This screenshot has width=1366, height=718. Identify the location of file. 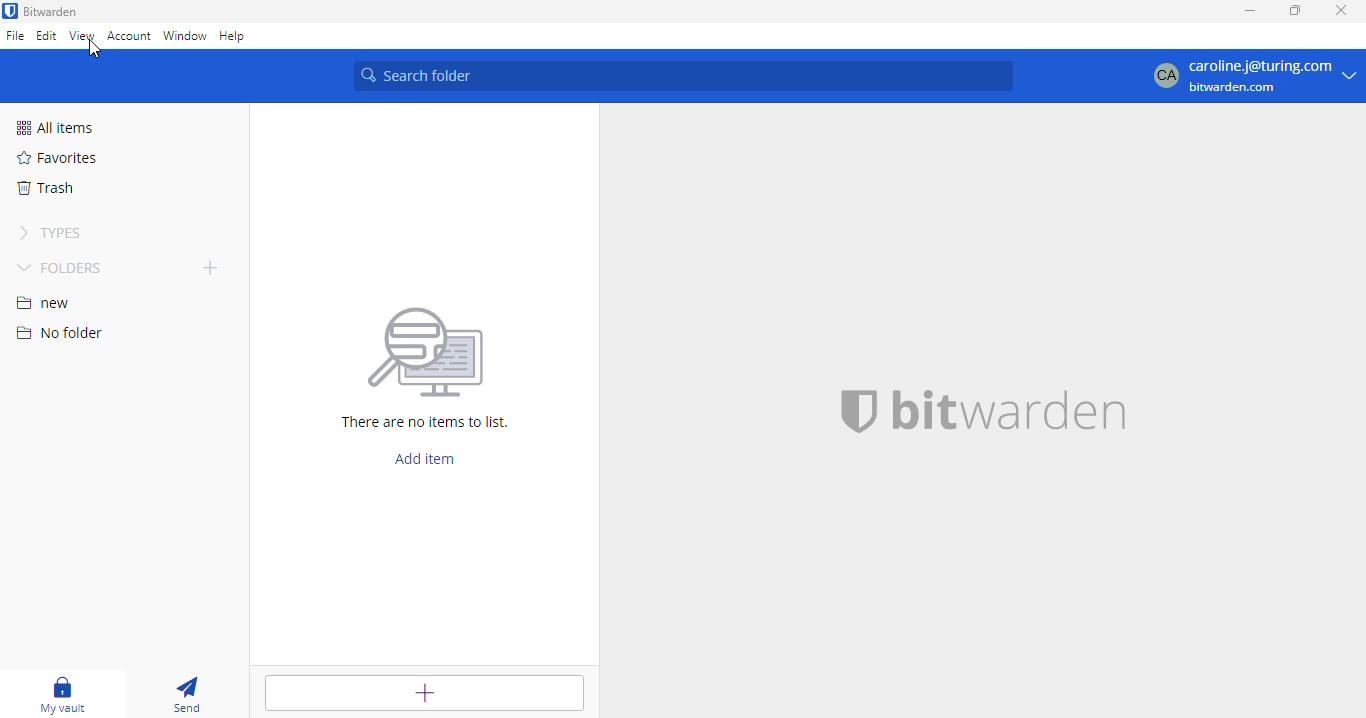
(15, 35).